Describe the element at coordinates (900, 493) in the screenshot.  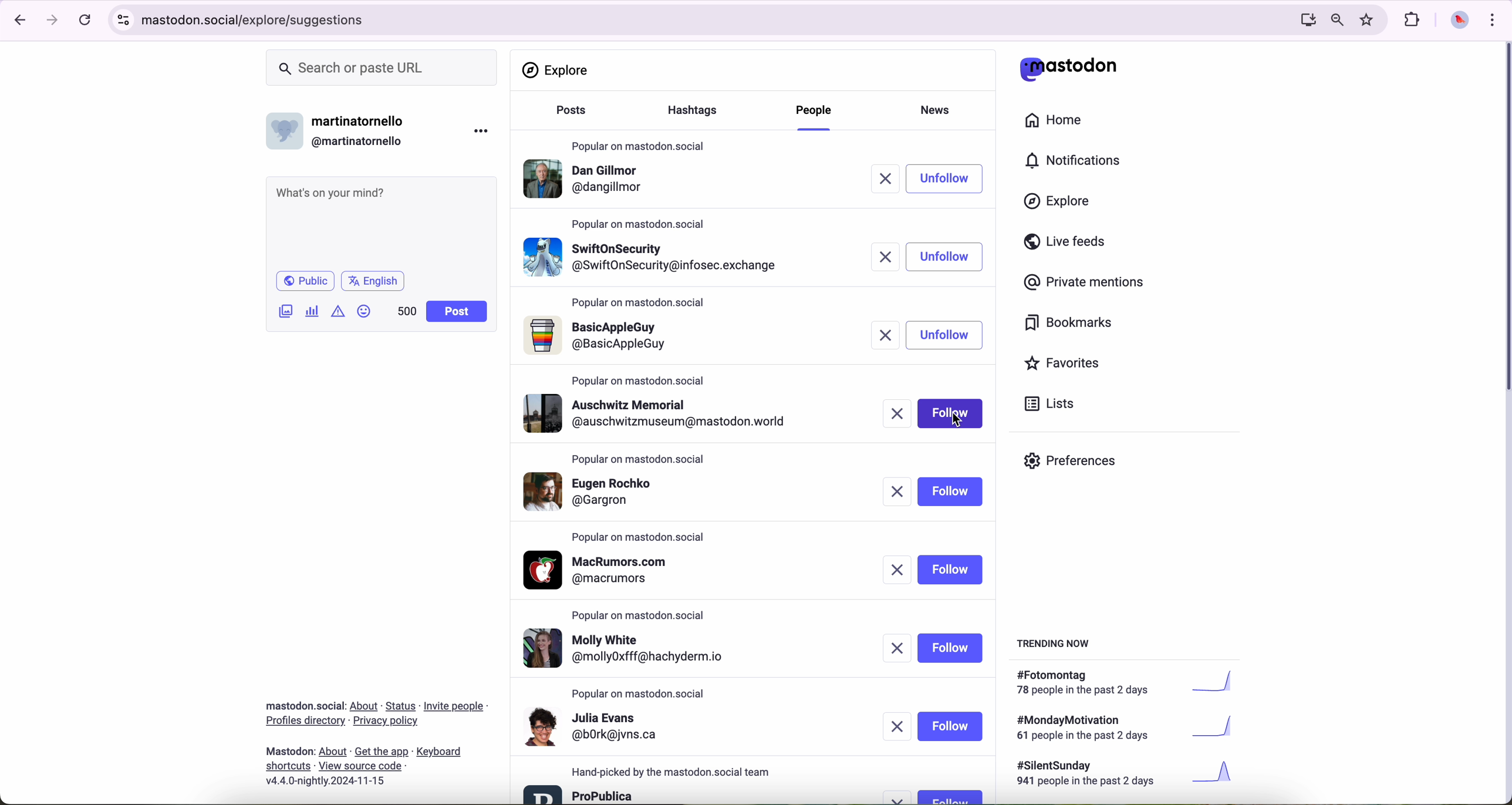
I see `remove` at that location.